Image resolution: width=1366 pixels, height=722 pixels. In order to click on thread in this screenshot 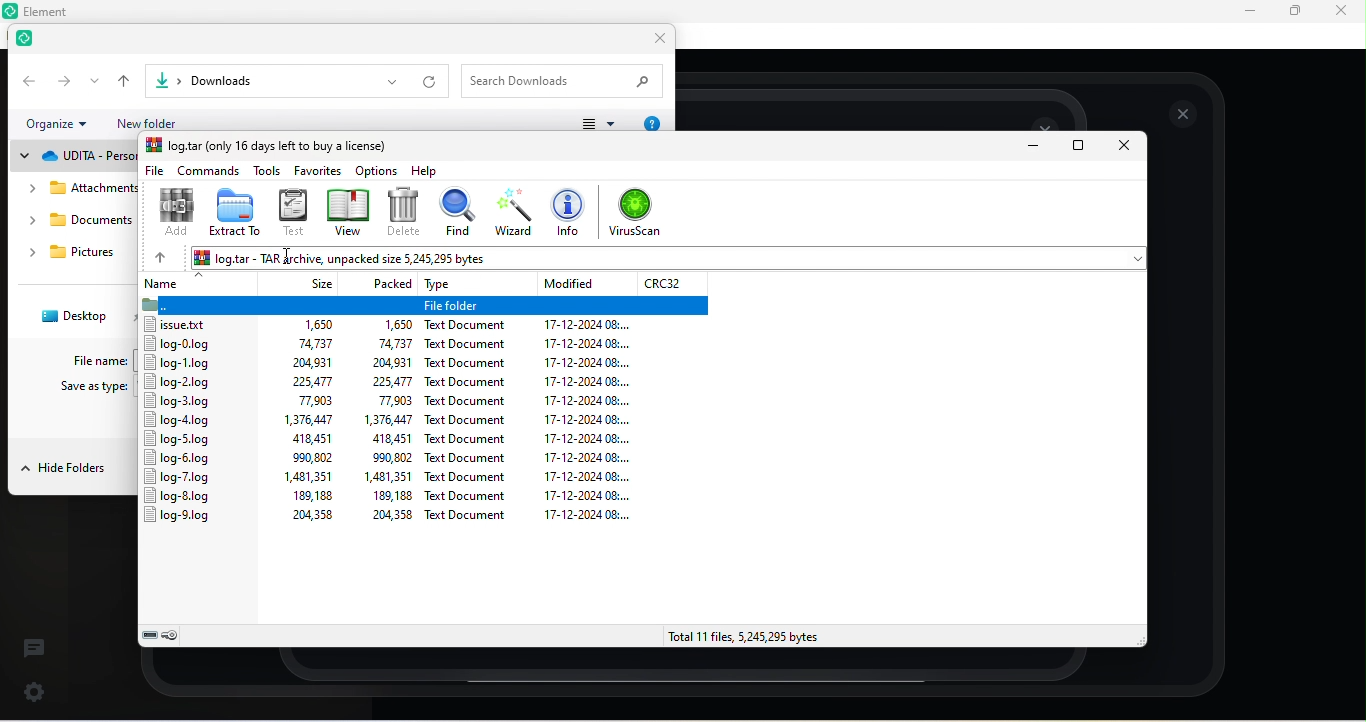, I will do `click(34, 647)`.